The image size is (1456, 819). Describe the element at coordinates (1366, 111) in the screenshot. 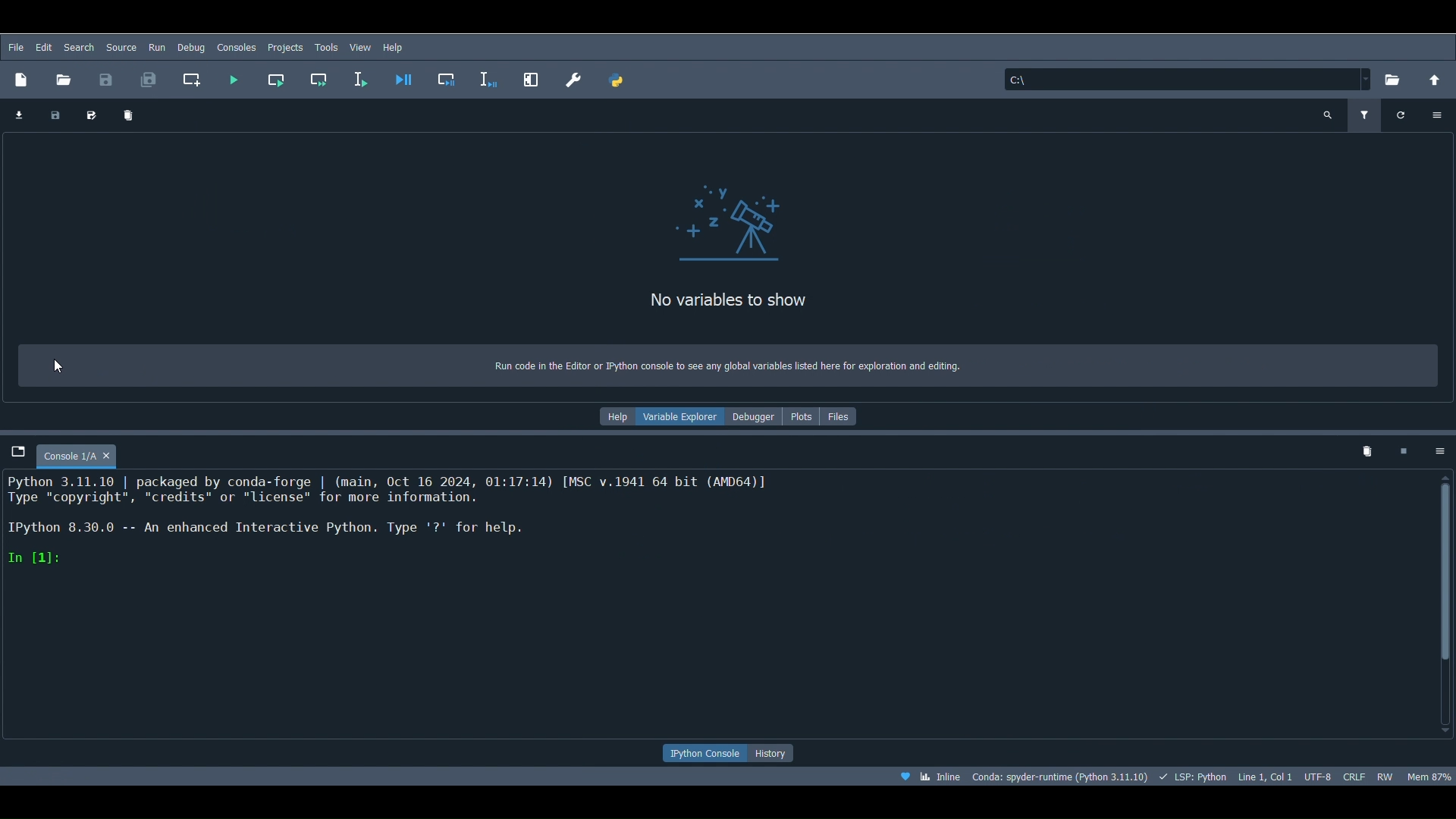

I see `Filter variables` at that location.